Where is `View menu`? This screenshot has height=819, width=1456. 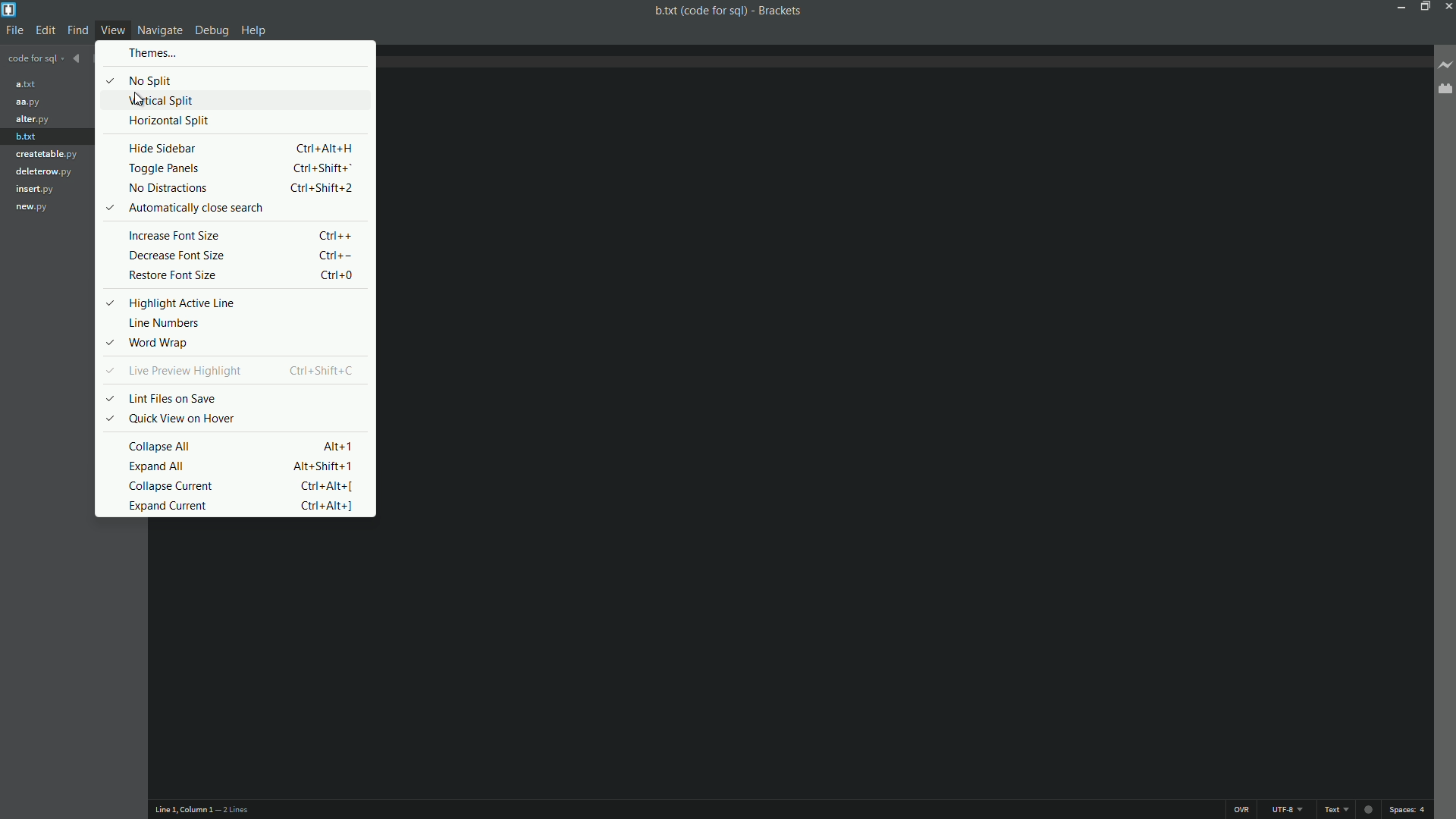 View menu is located at coordinates (113, 30).